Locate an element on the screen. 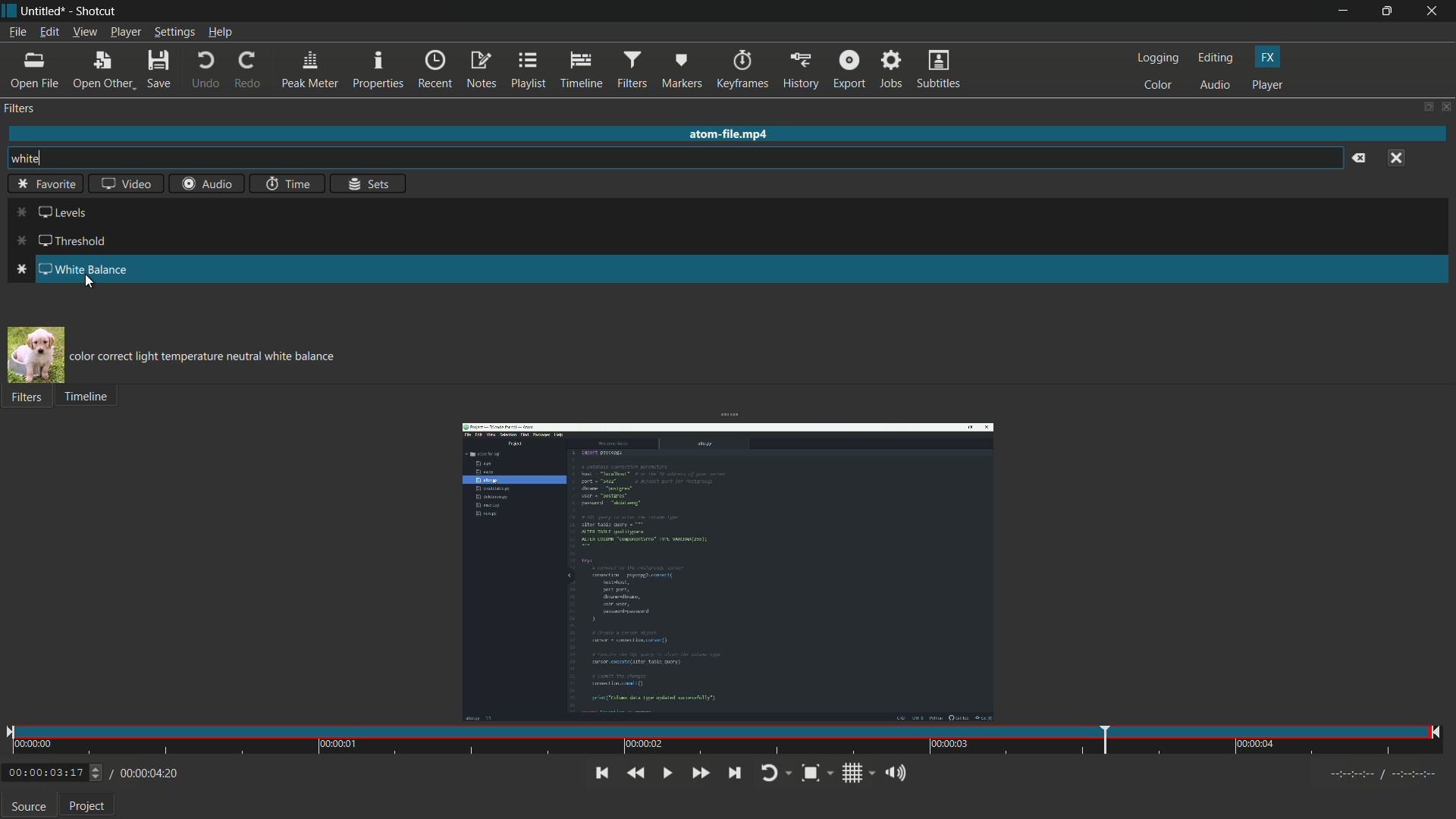 The width and height of the screenshot is (1456, 819). atom-fie.mp4(imported video name) is located at coordinates (725, 134).